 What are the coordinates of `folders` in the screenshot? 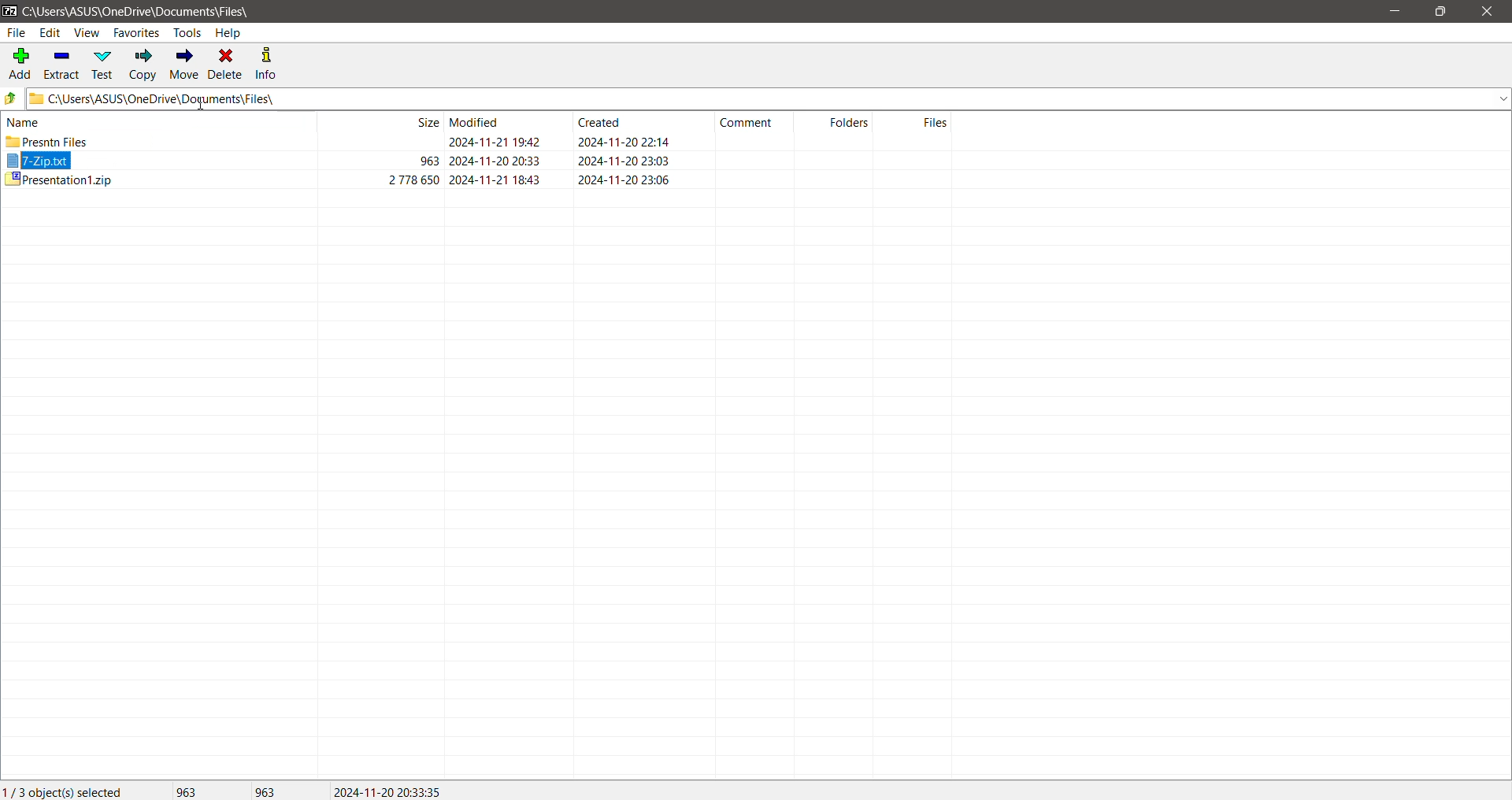 It's located at (850, 122).